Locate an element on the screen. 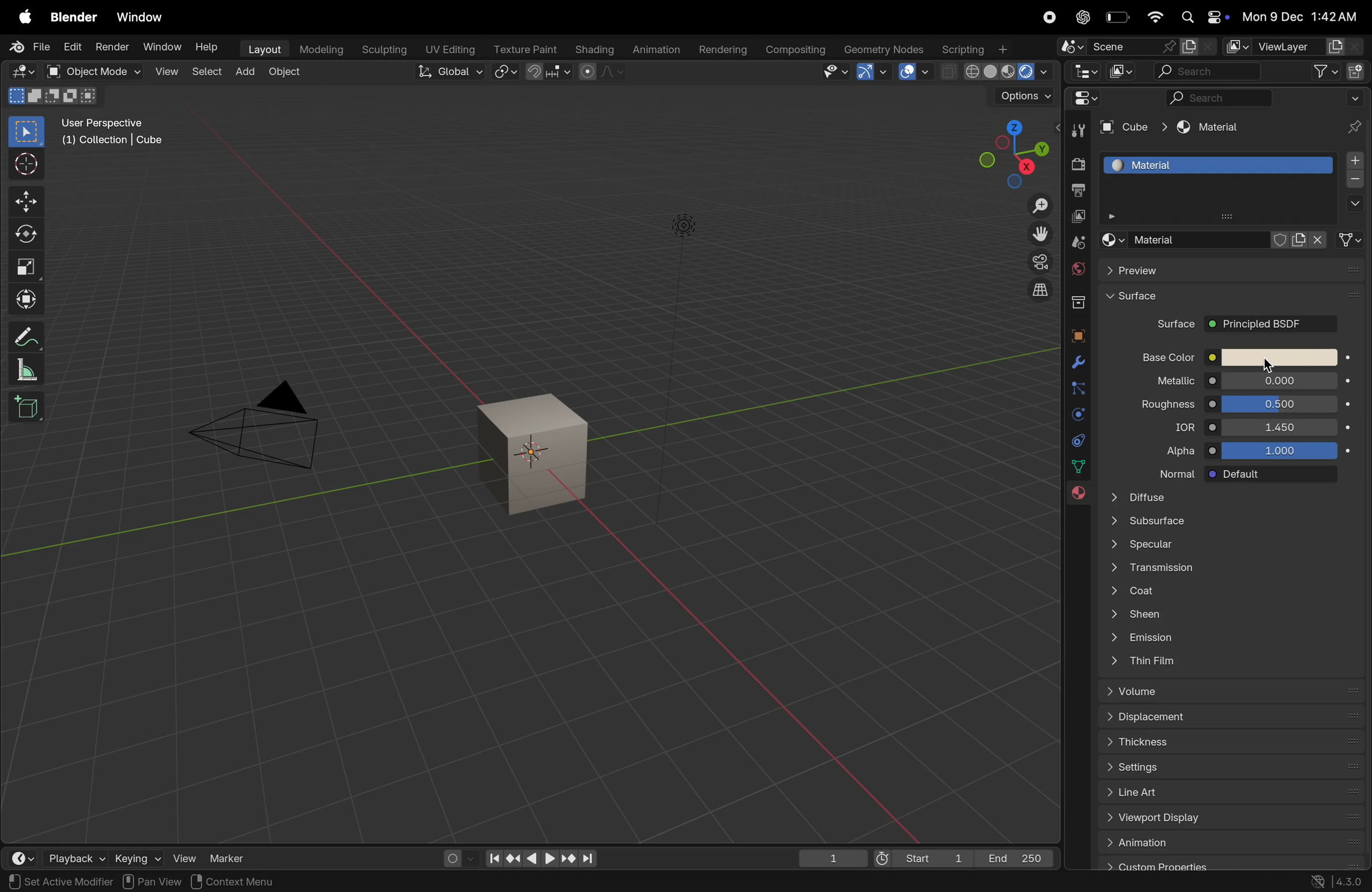 Image resolution: width=1372 pixels, height=892 pixels. add is located at coordinates (244, 73).